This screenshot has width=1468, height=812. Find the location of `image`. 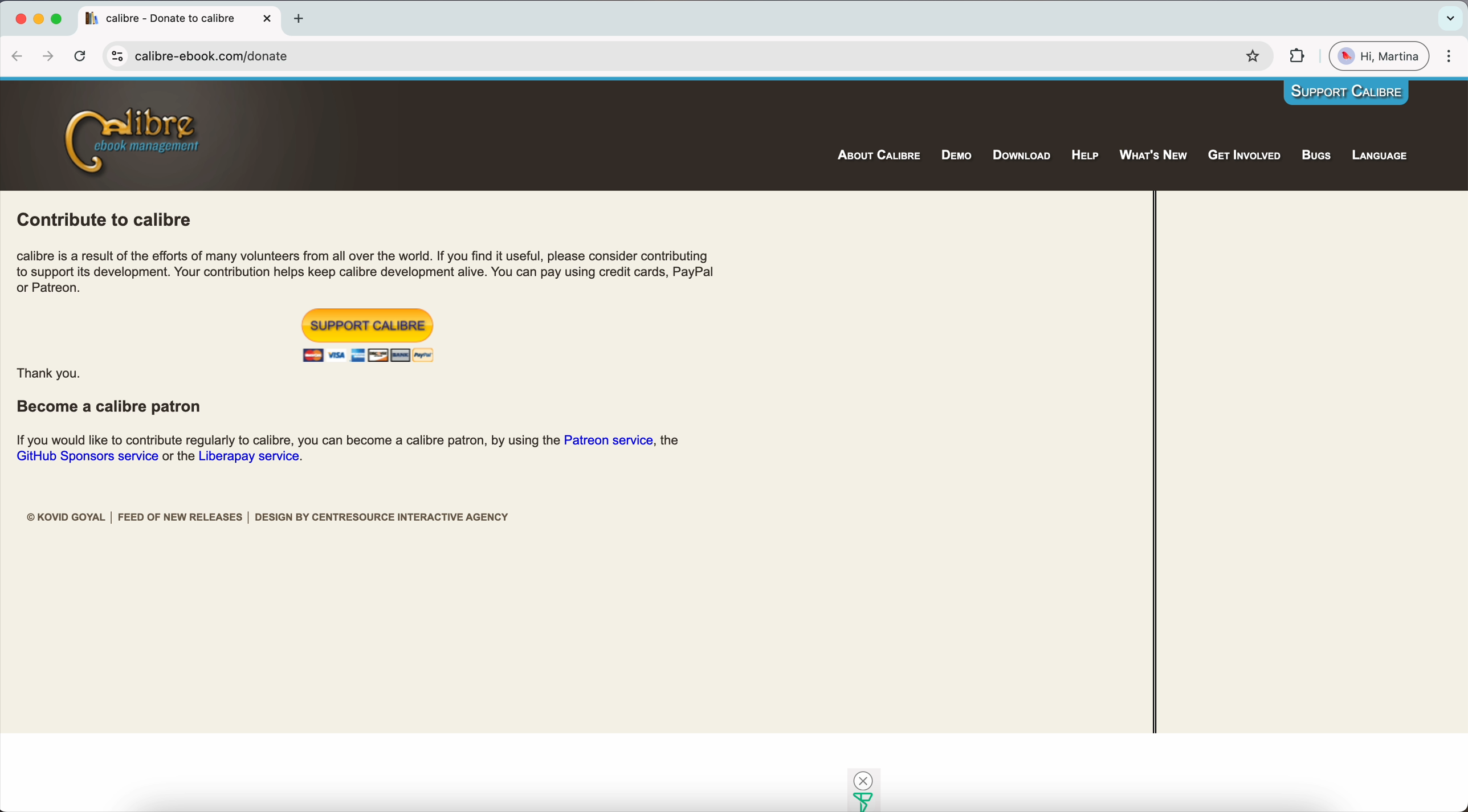

image is located at coordinates (861, 789).